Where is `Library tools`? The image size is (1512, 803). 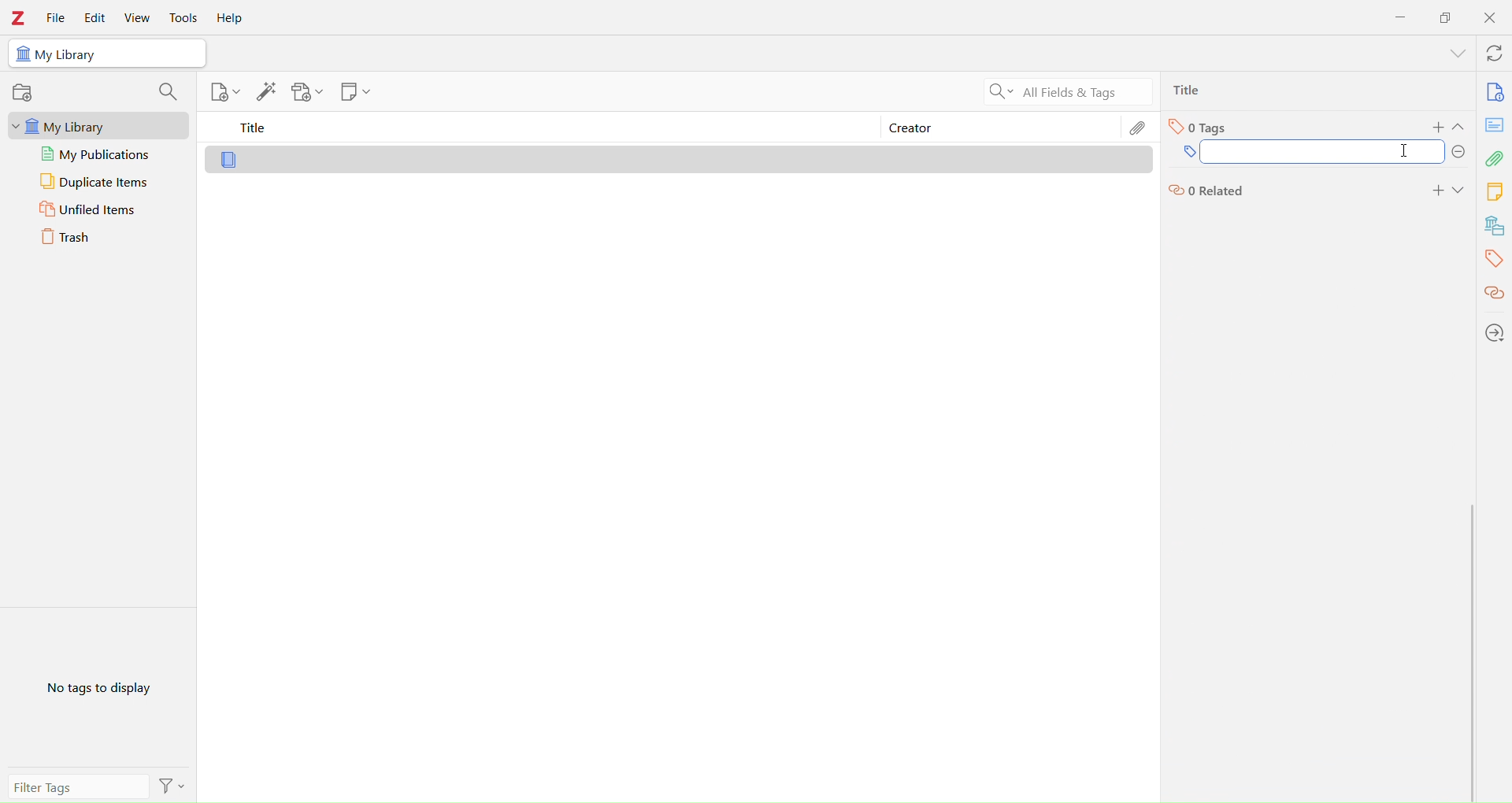 Library tools is located at coordinates (284, 93).